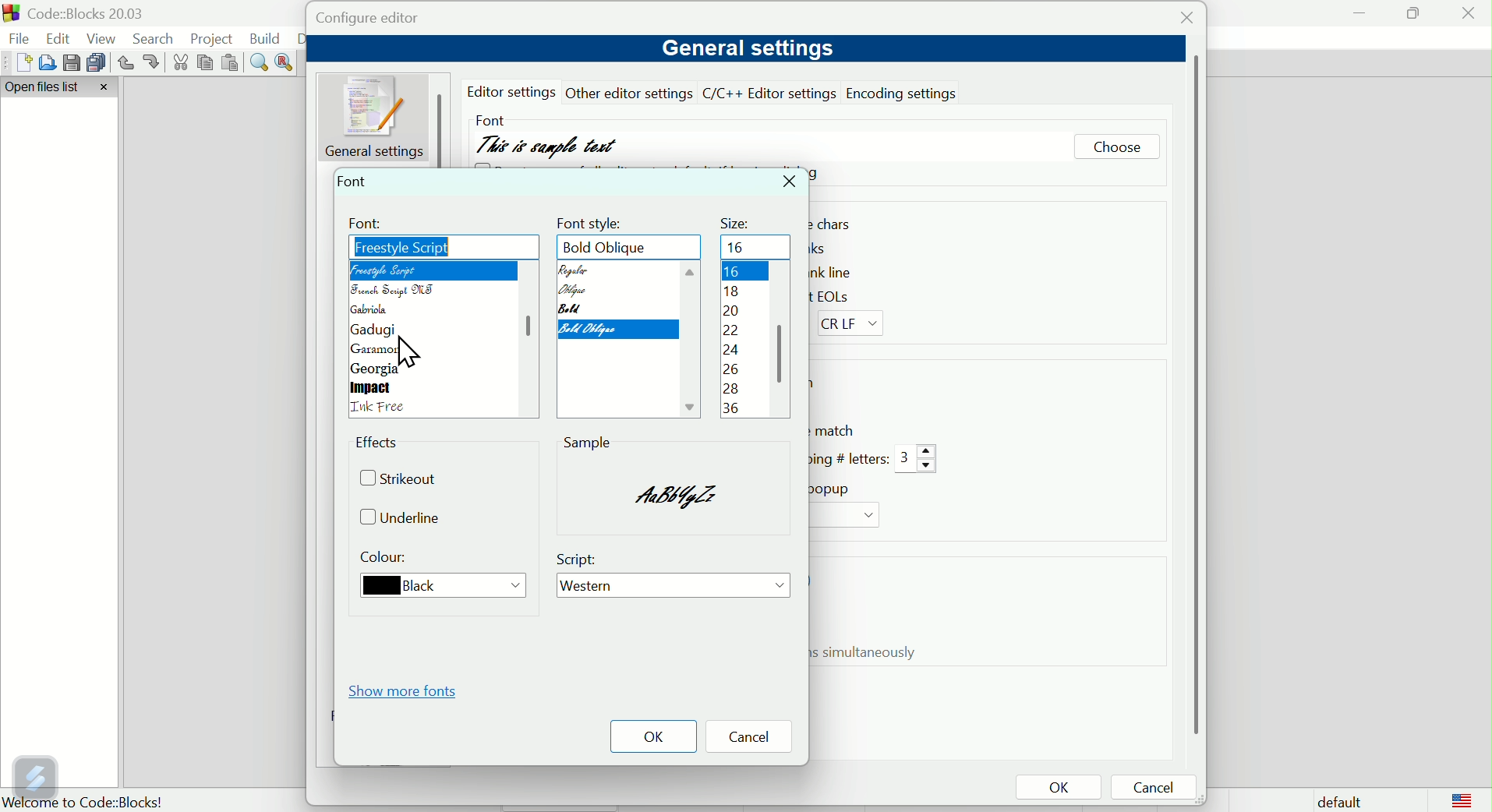  I want to click on Georgia, so click(380, 369).